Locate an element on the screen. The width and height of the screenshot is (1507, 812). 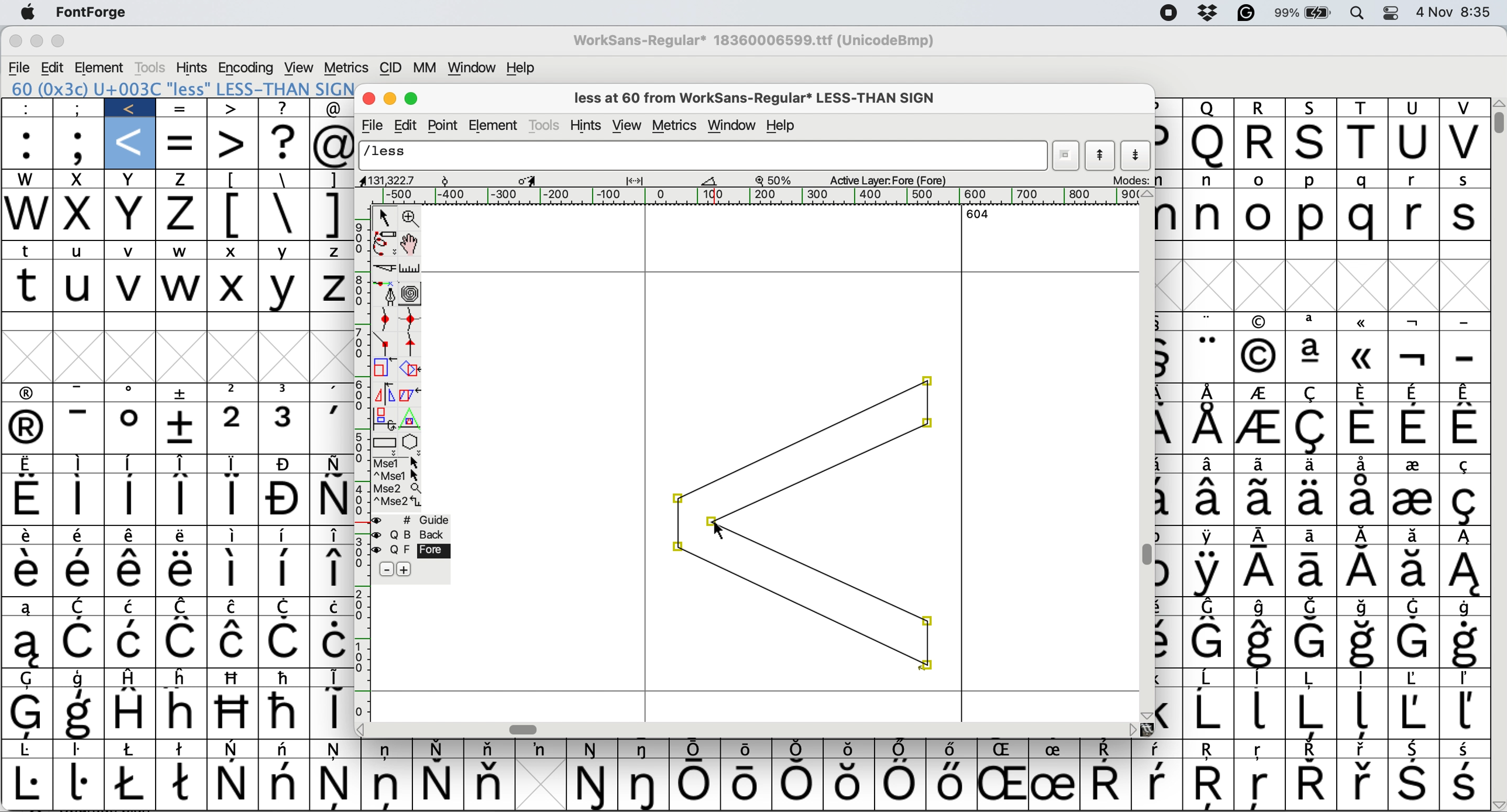
Symbol is located at coordinates (1363, 749).